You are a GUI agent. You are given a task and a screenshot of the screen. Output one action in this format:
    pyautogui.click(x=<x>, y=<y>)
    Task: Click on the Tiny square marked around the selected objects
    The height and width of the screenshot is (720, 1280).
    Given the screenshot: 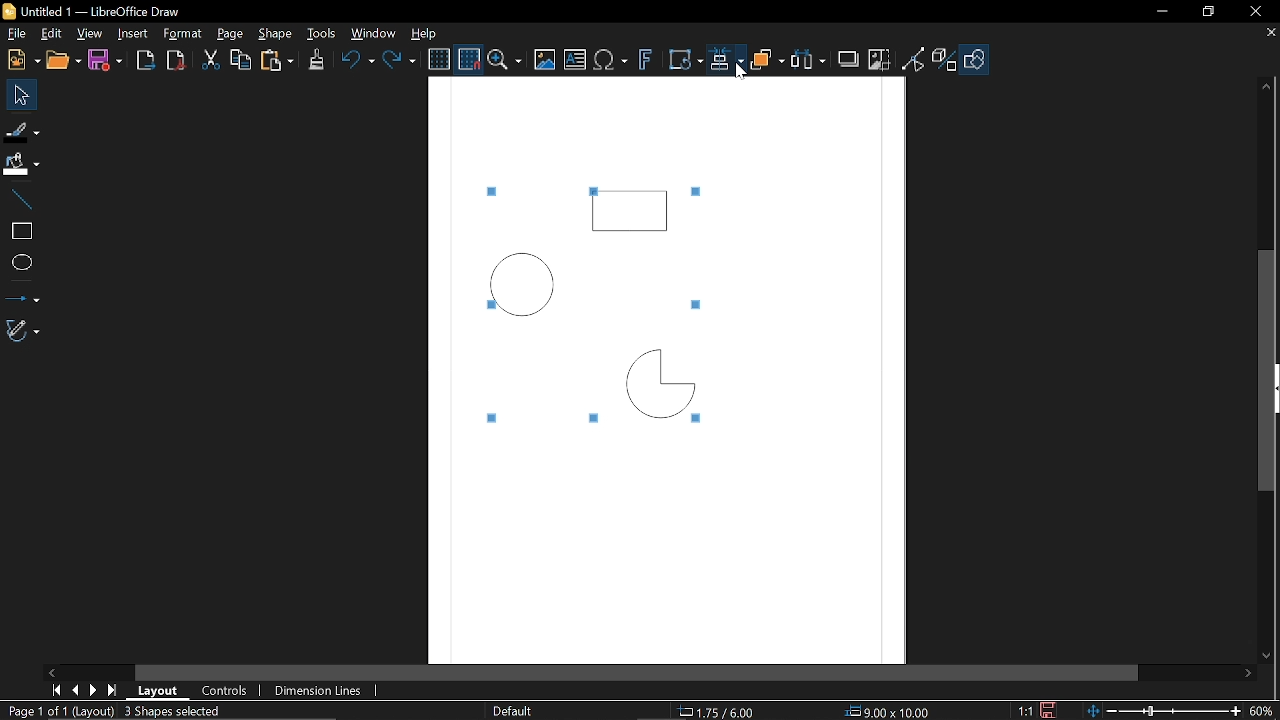 What is the action you would take?
    pyautogui.click(x=689, y=304)
    